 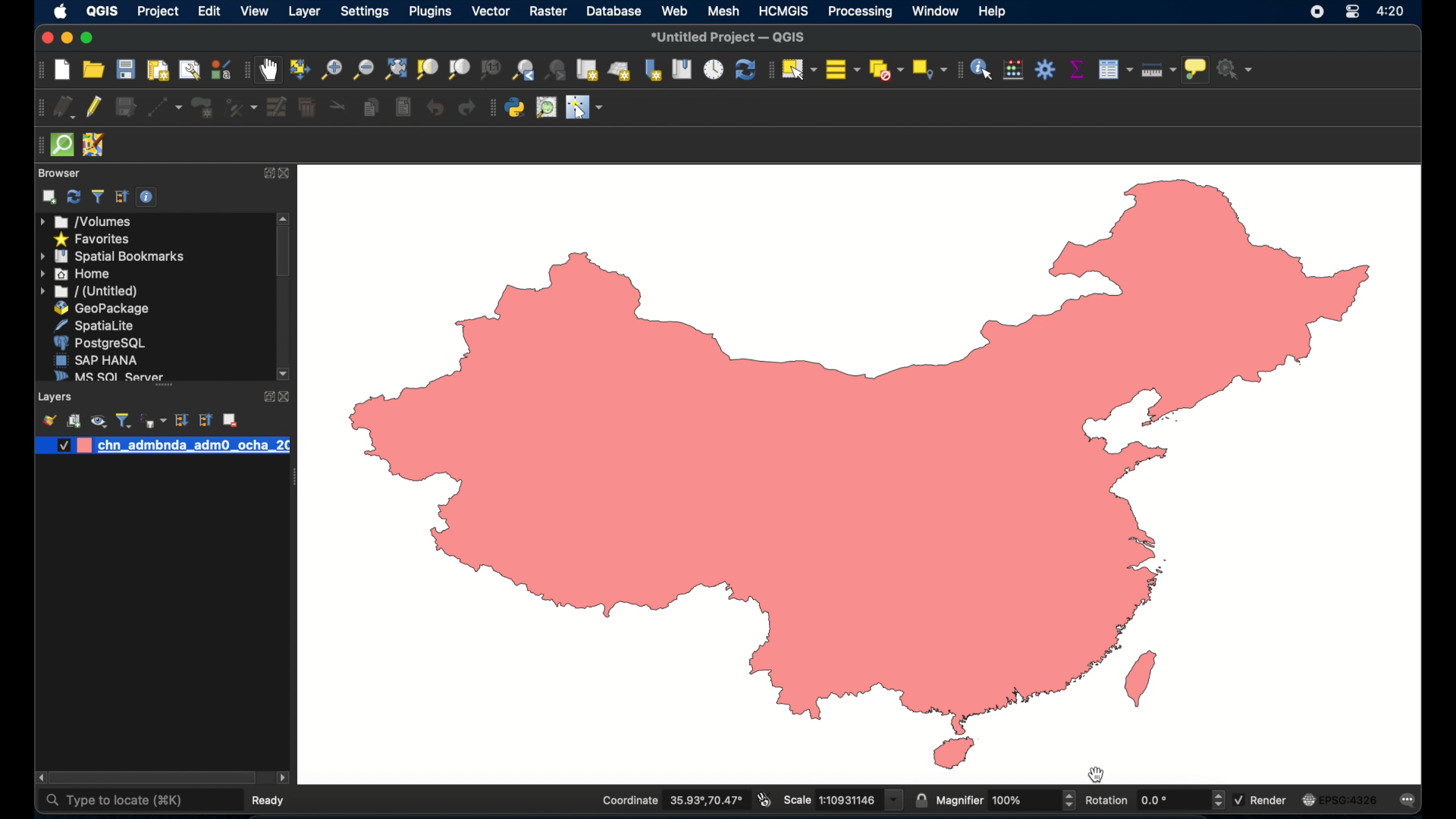 I want to click on QGIS, so click(x=102, y=13).